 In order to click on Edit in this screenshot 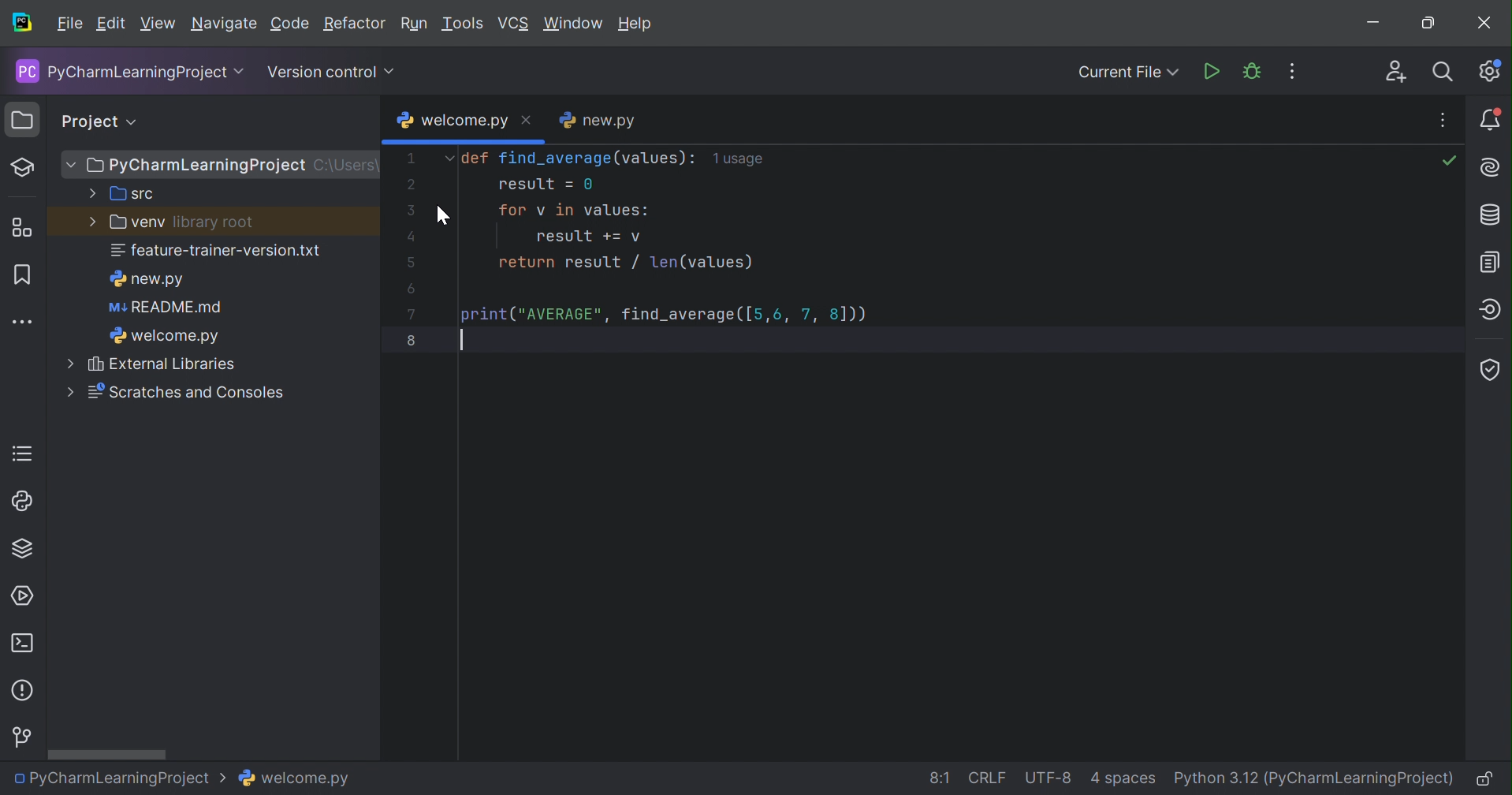, I will do `click(110, 24)`.